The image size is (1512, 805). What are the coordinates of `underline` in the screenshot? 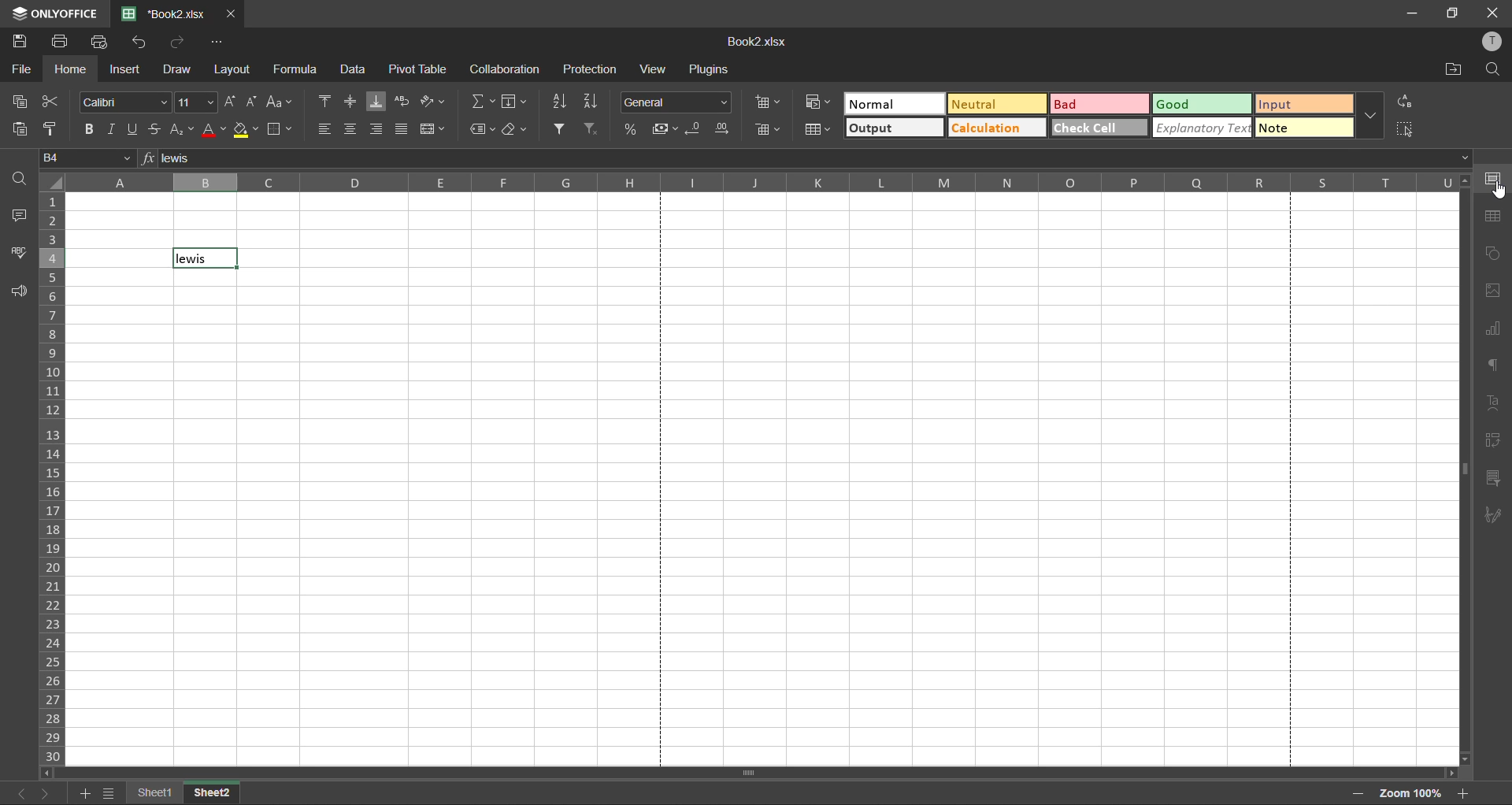 It's located at (133, 130).